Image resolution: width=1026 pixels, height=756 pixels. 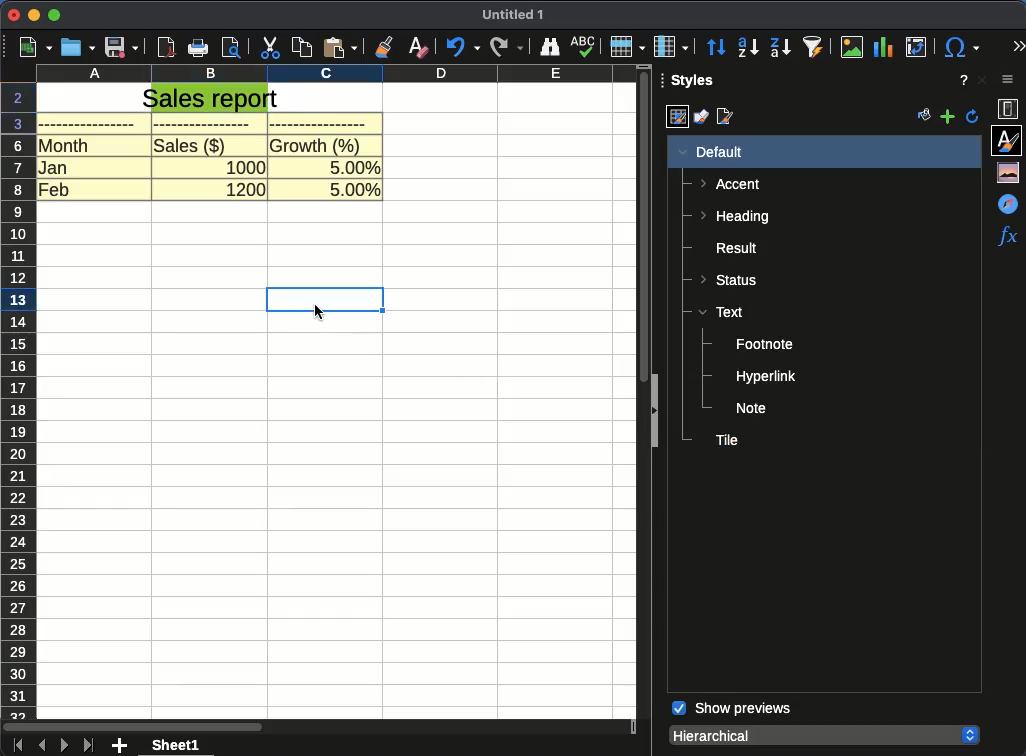 I want to click on text, so click(x=721, y=311).